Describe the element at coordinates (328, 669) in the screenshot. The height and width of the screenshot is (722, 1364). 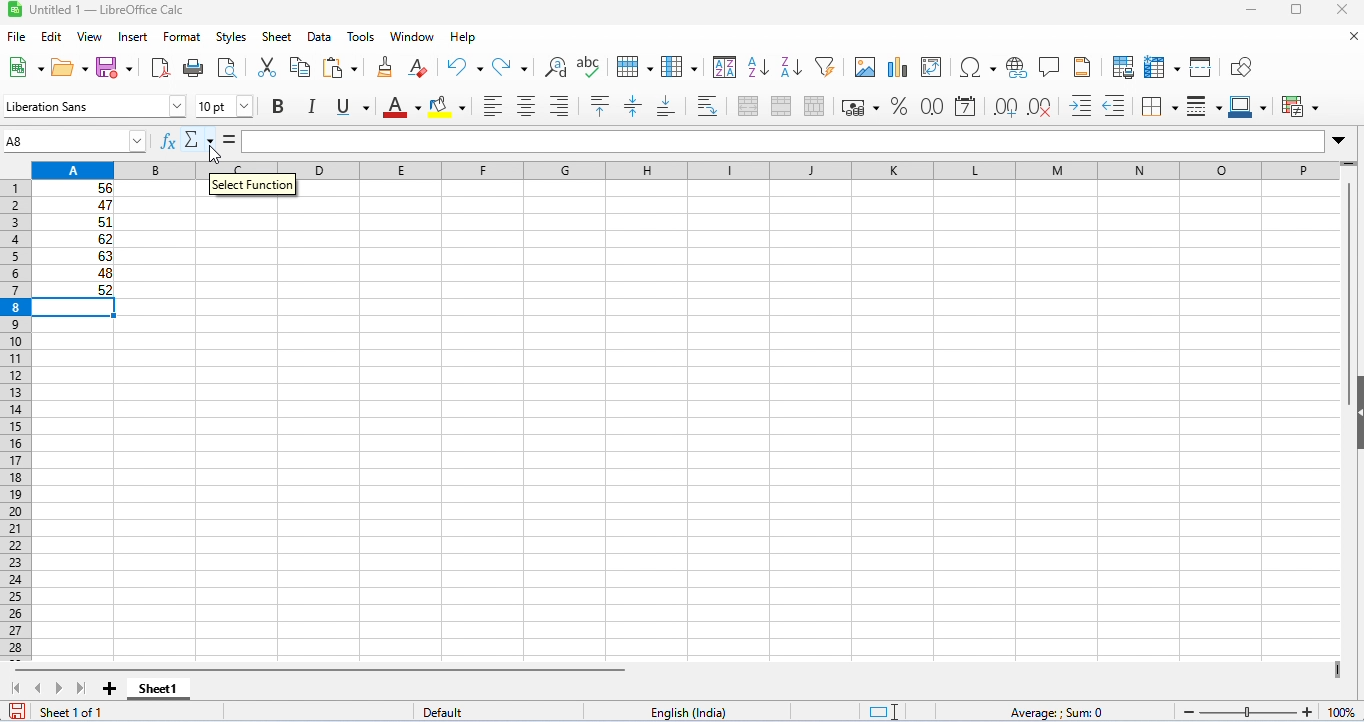
I see `horizontal scroll bar` at that location.